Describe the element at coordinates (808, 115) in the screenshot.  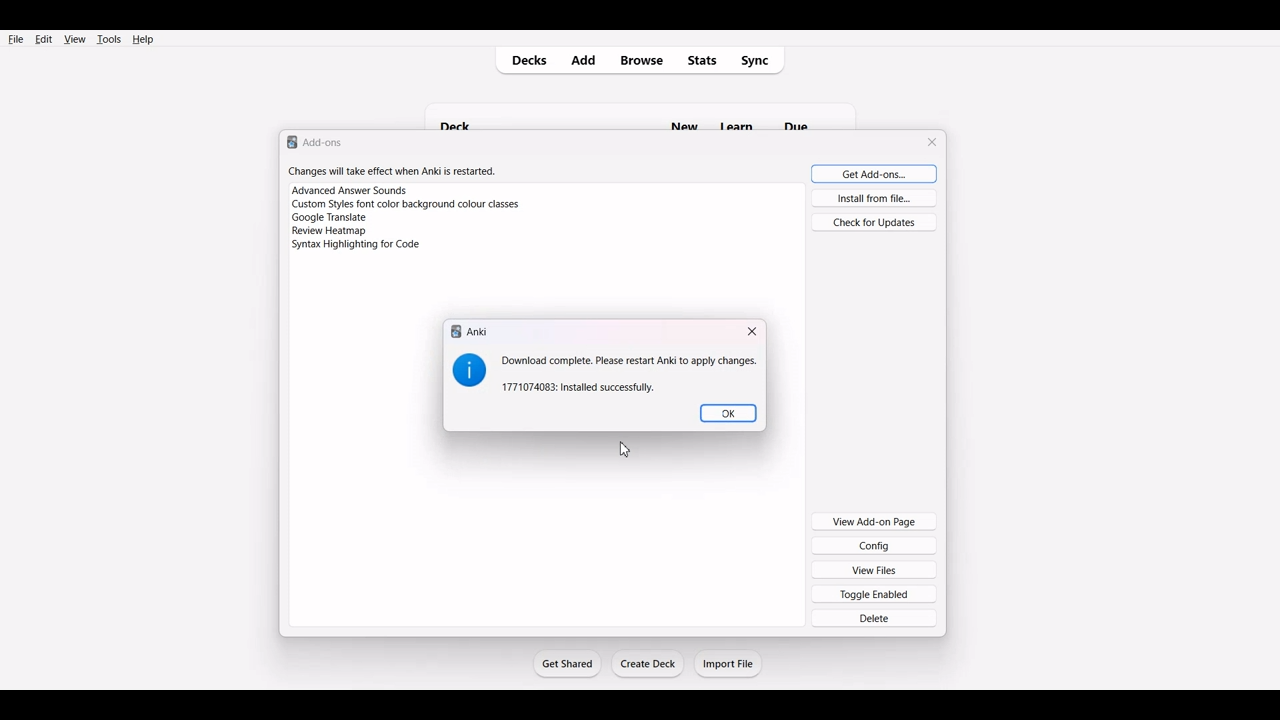
I see `` at that location.